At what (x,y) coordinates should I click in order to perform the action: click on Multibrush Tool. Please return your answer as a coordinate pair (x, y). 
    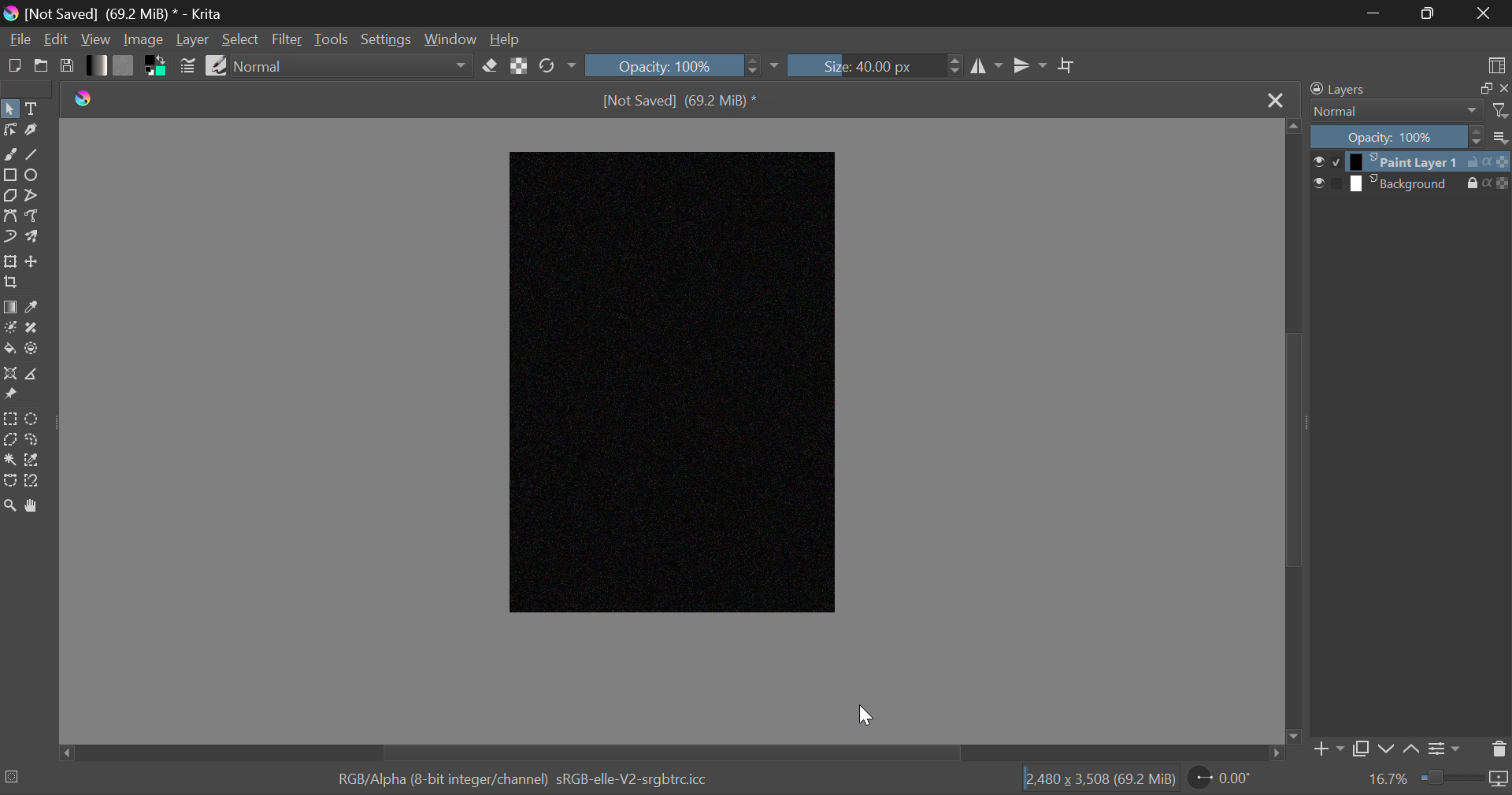
    Looking at the image, I should click on (32, 238).